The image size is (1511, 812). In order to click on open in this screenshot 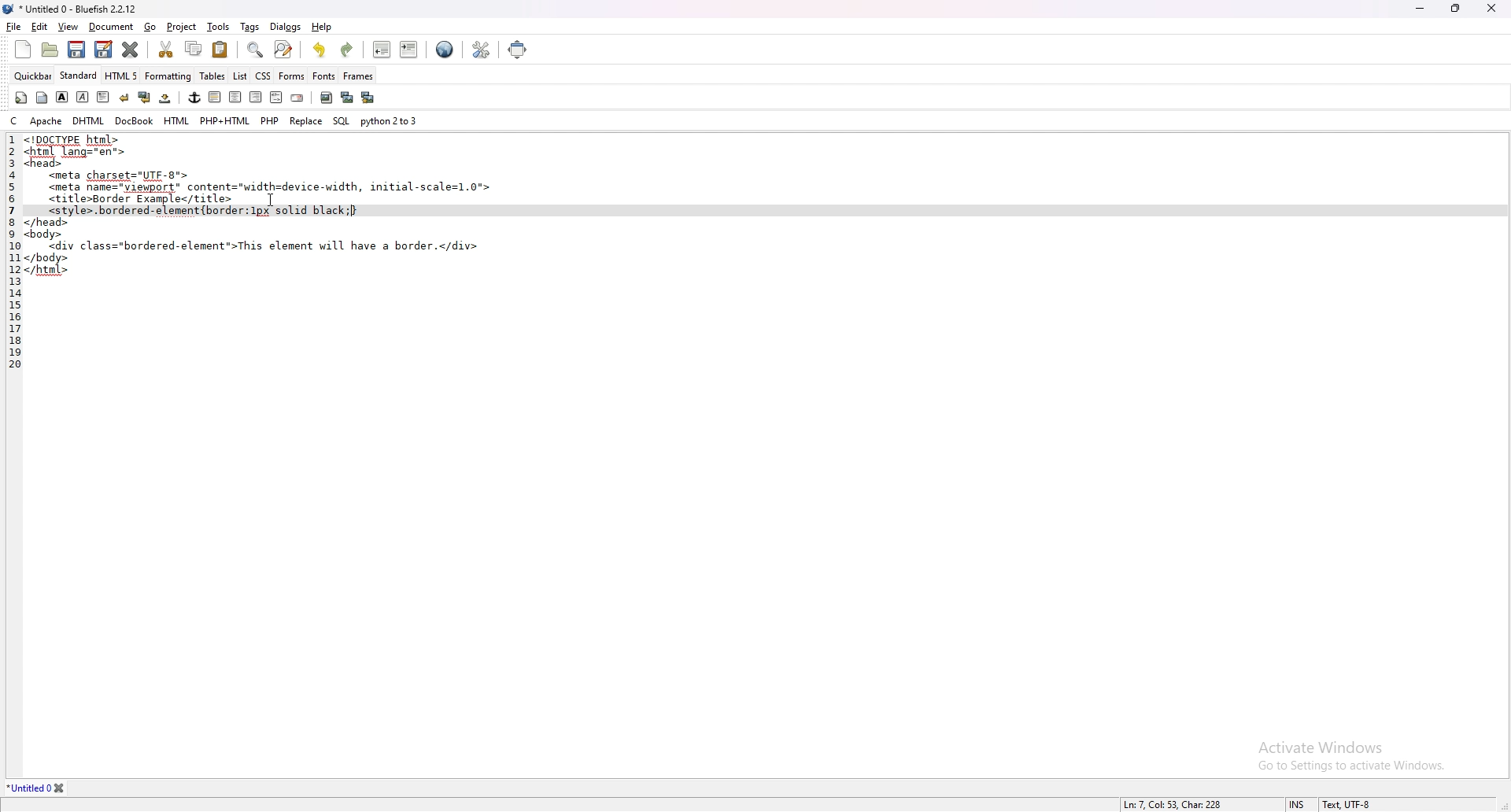, I will do `click(52, 51)`.